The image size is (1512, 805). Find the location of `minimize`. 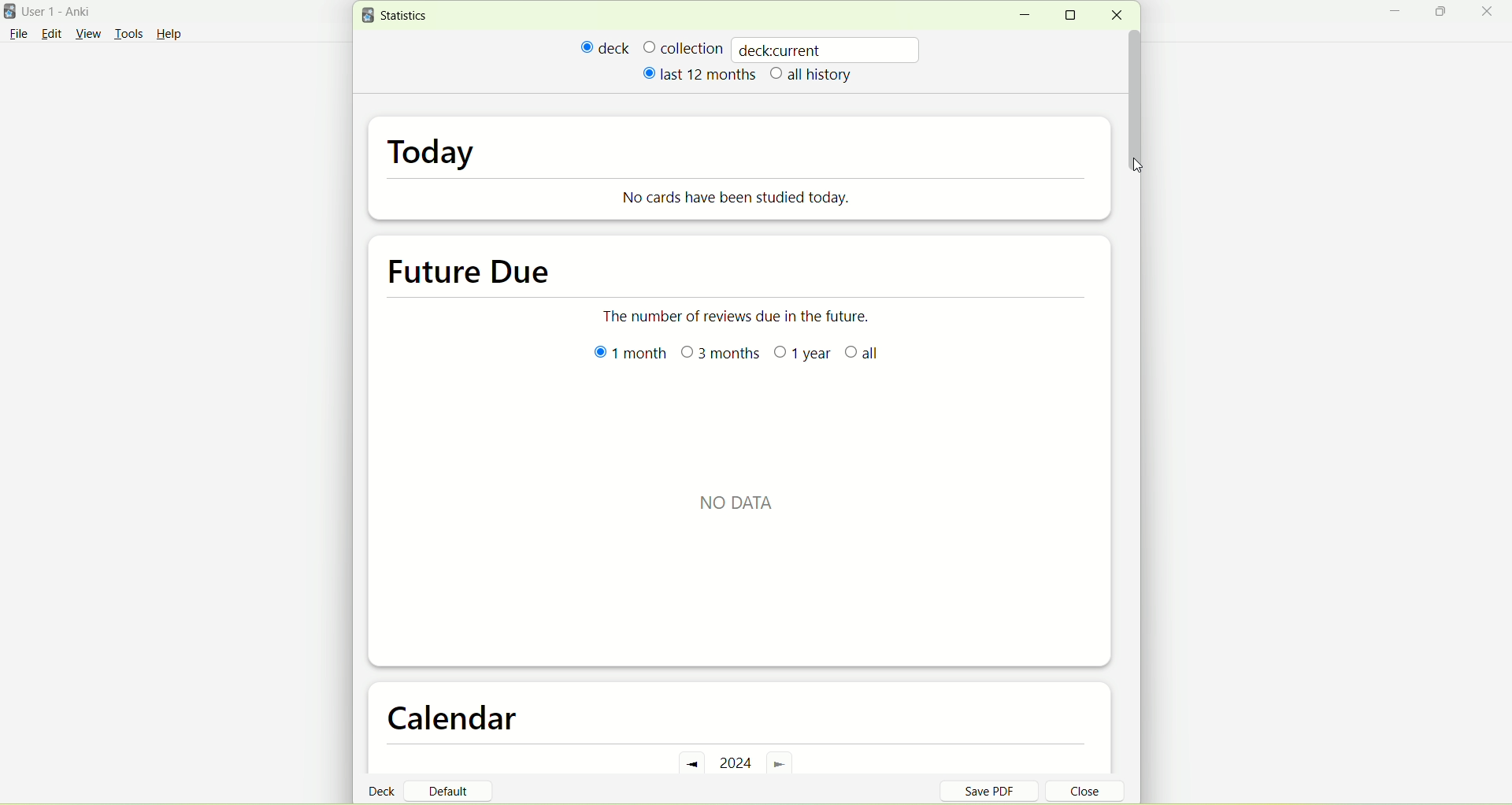

minimize is located at coordinates (1024, 16).